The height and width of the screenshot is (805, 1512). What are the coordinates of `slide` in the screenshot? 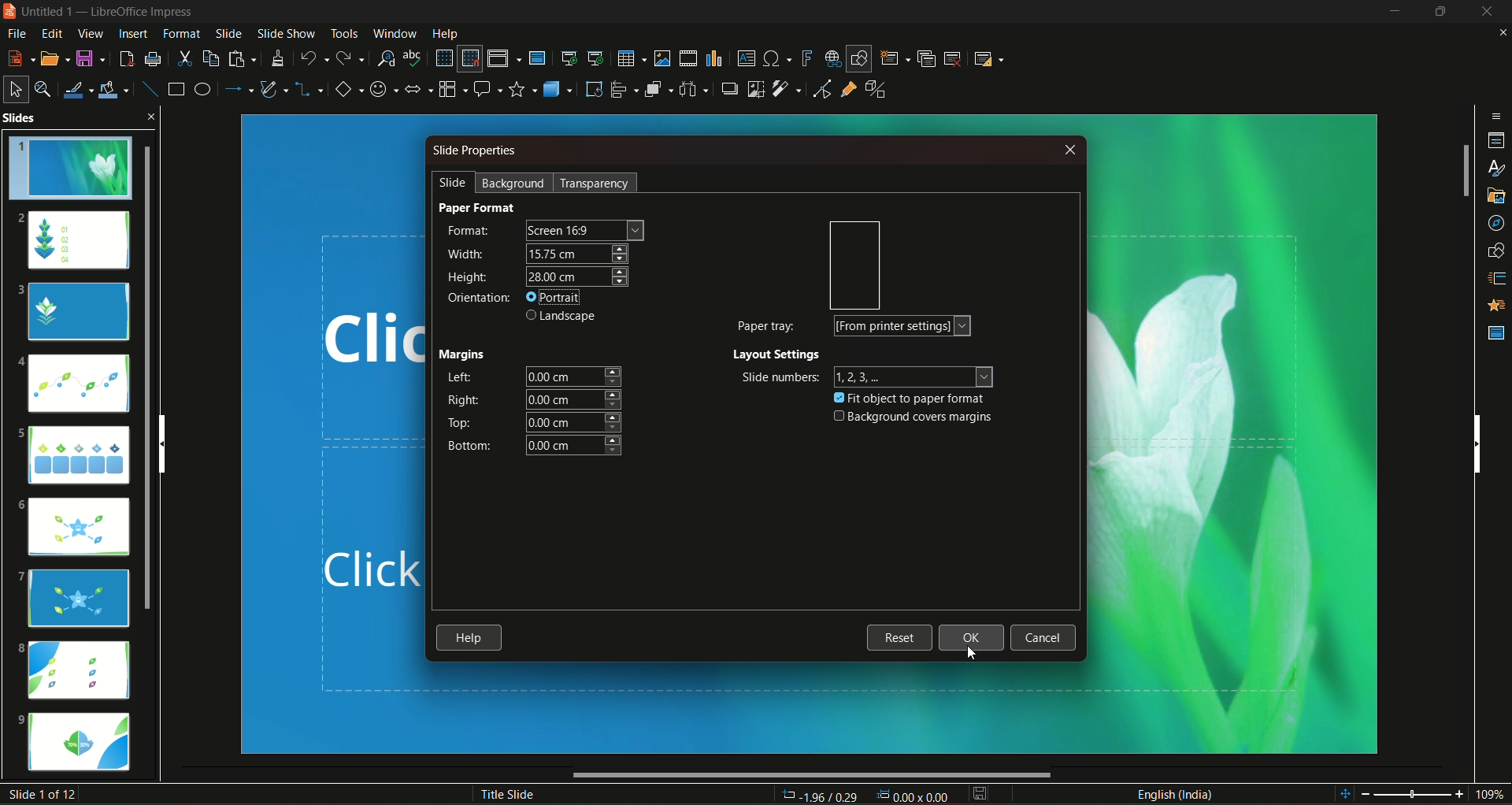 It's located at (228, 33).